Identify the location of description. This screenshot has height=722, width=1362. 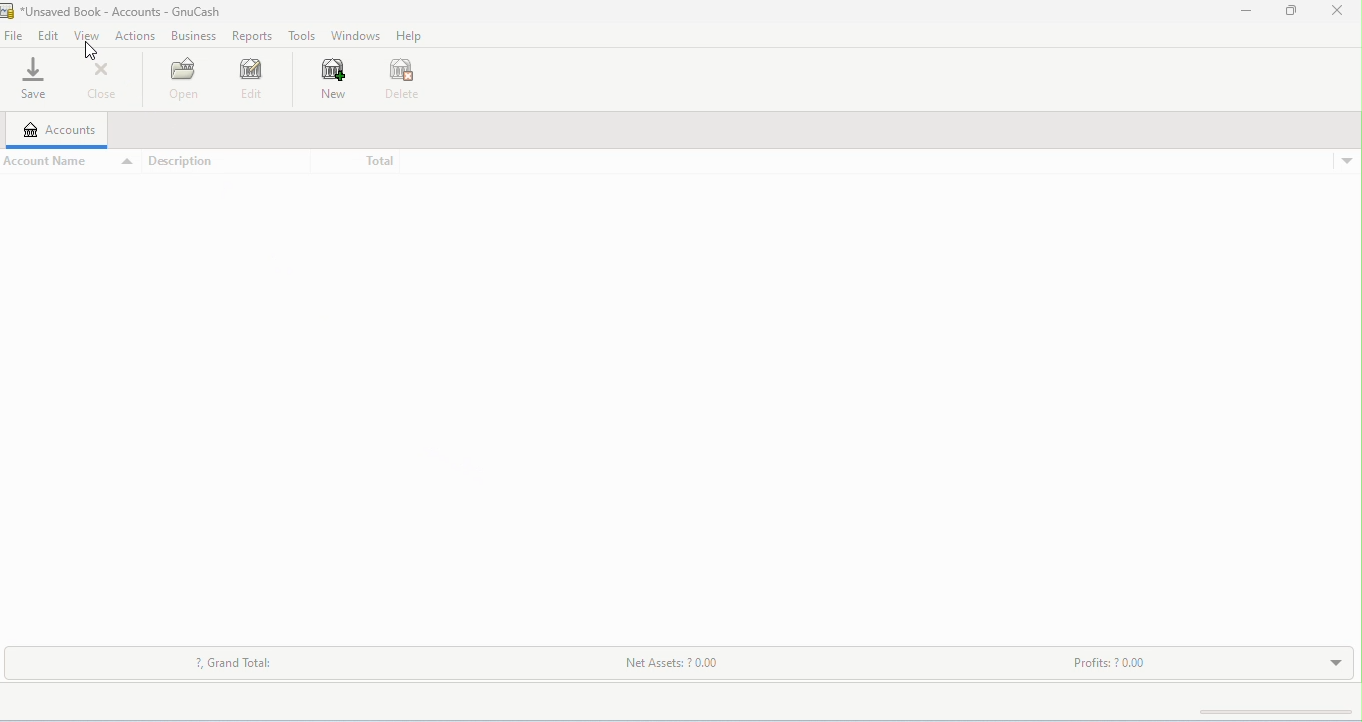
(181, 162).